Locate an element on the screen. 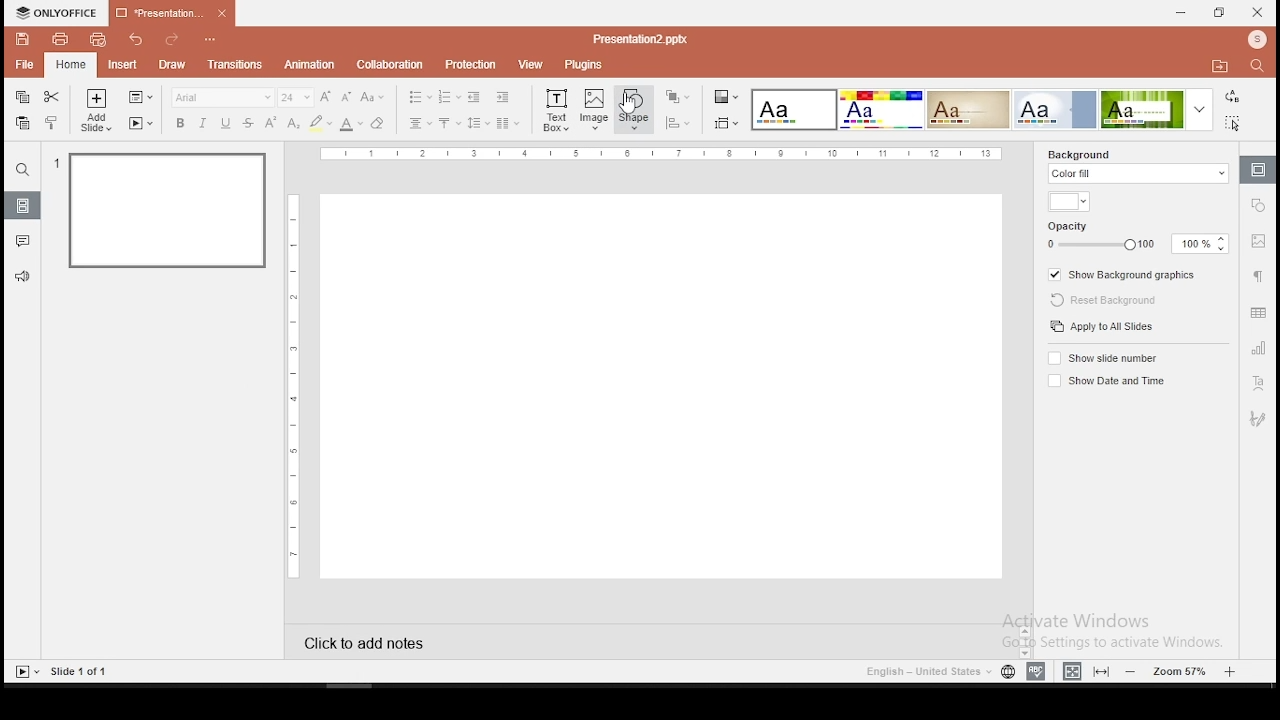 The width and height of the screenshot is (1280, 720). home is located at coordinates (71, 66).